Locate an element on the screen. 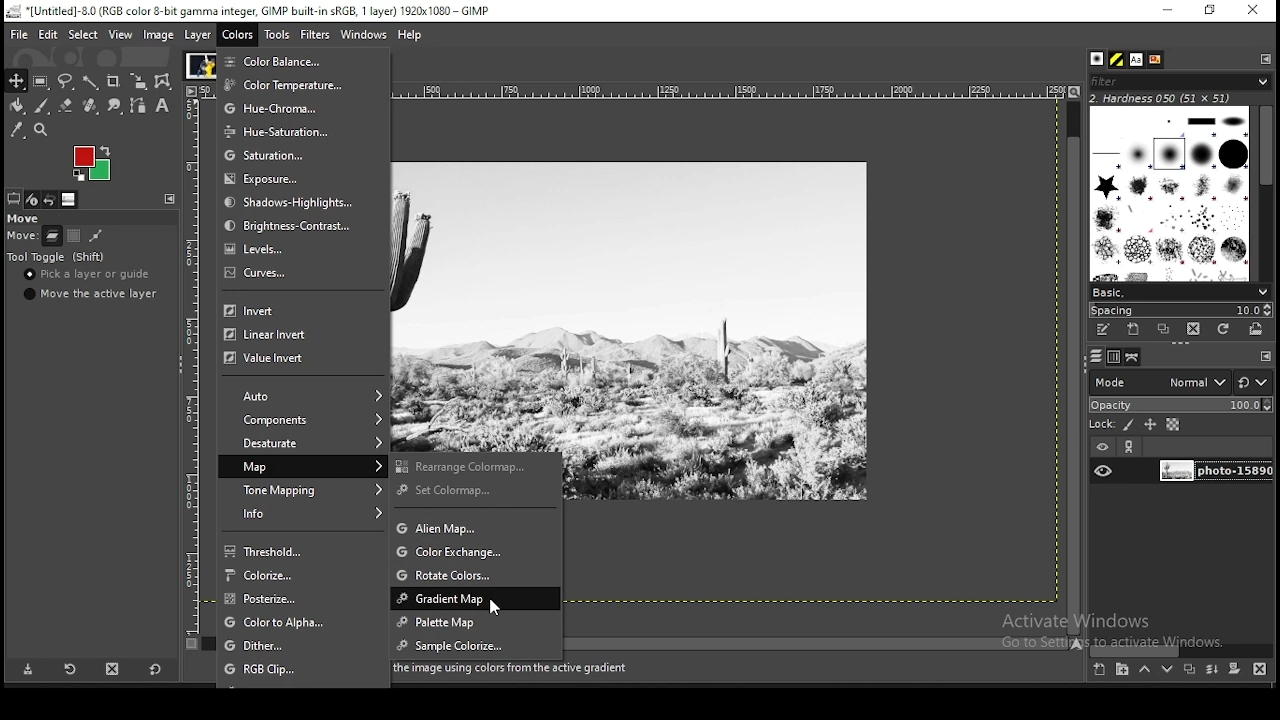 The image size is (1280, 720). color picker tool is located at coordinates (17, 130).